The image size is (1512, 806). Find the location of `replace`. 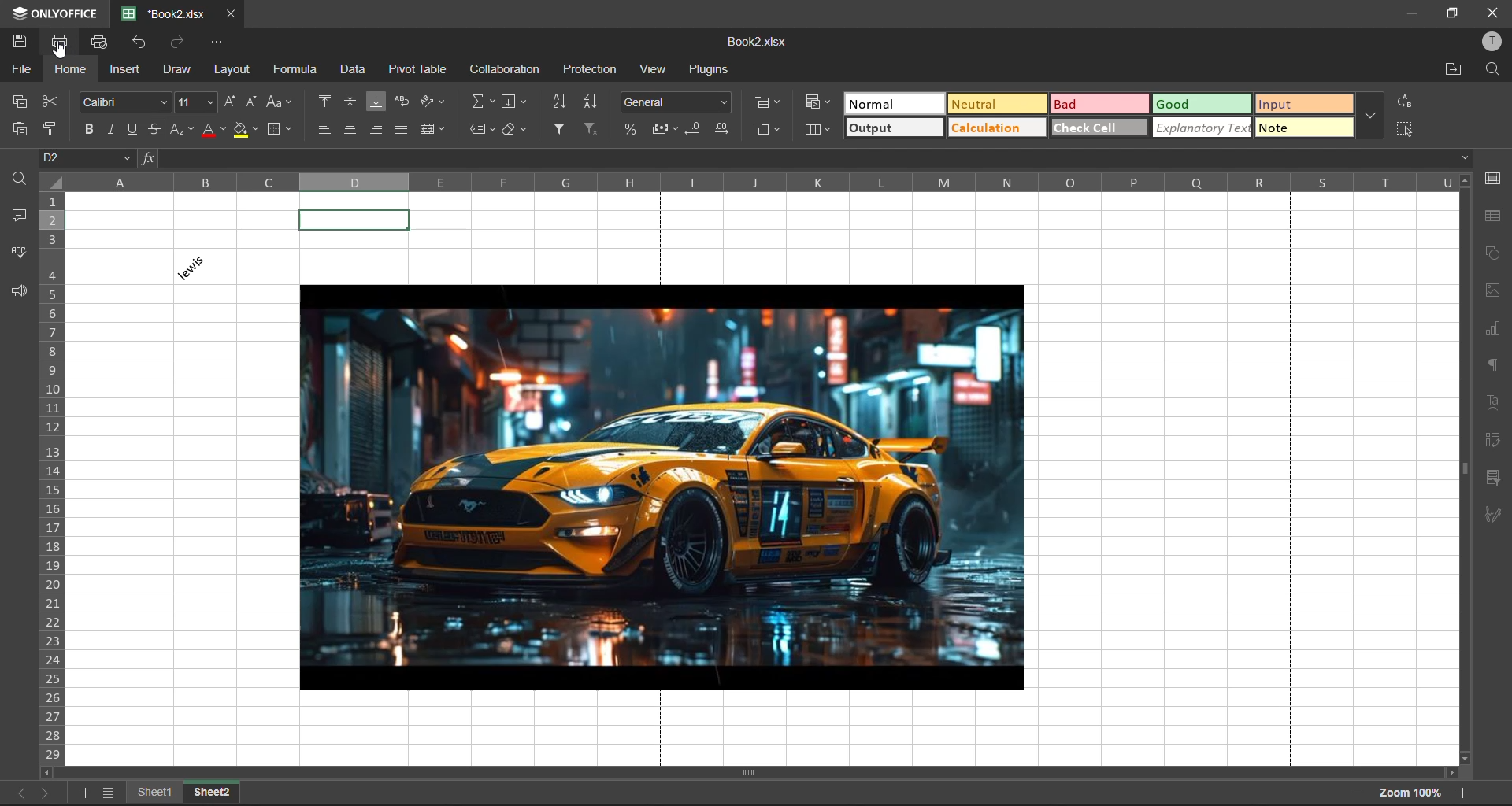

replace is located at coordinates (1406, 102).